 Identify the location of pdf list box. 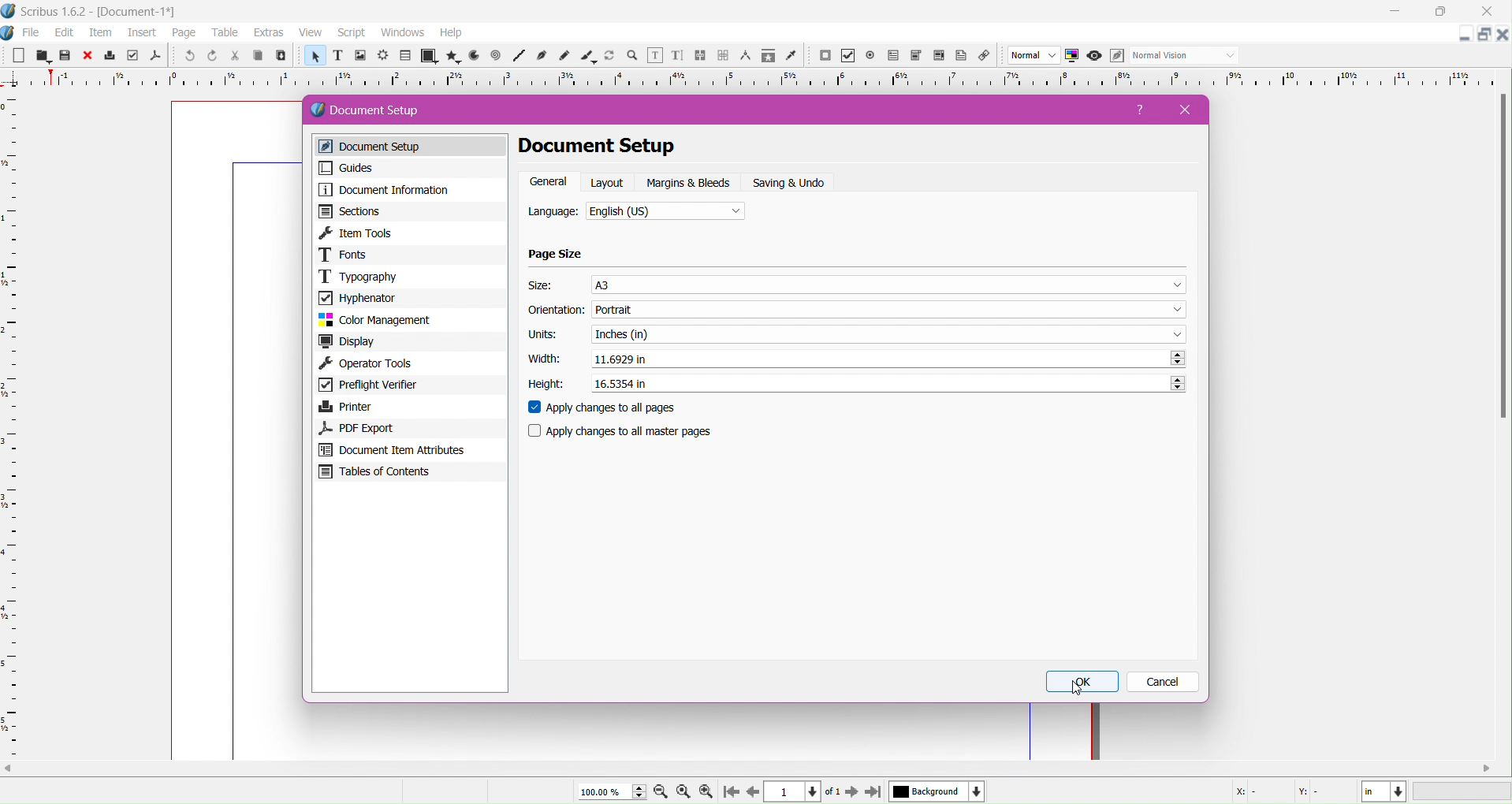
(940, 57).